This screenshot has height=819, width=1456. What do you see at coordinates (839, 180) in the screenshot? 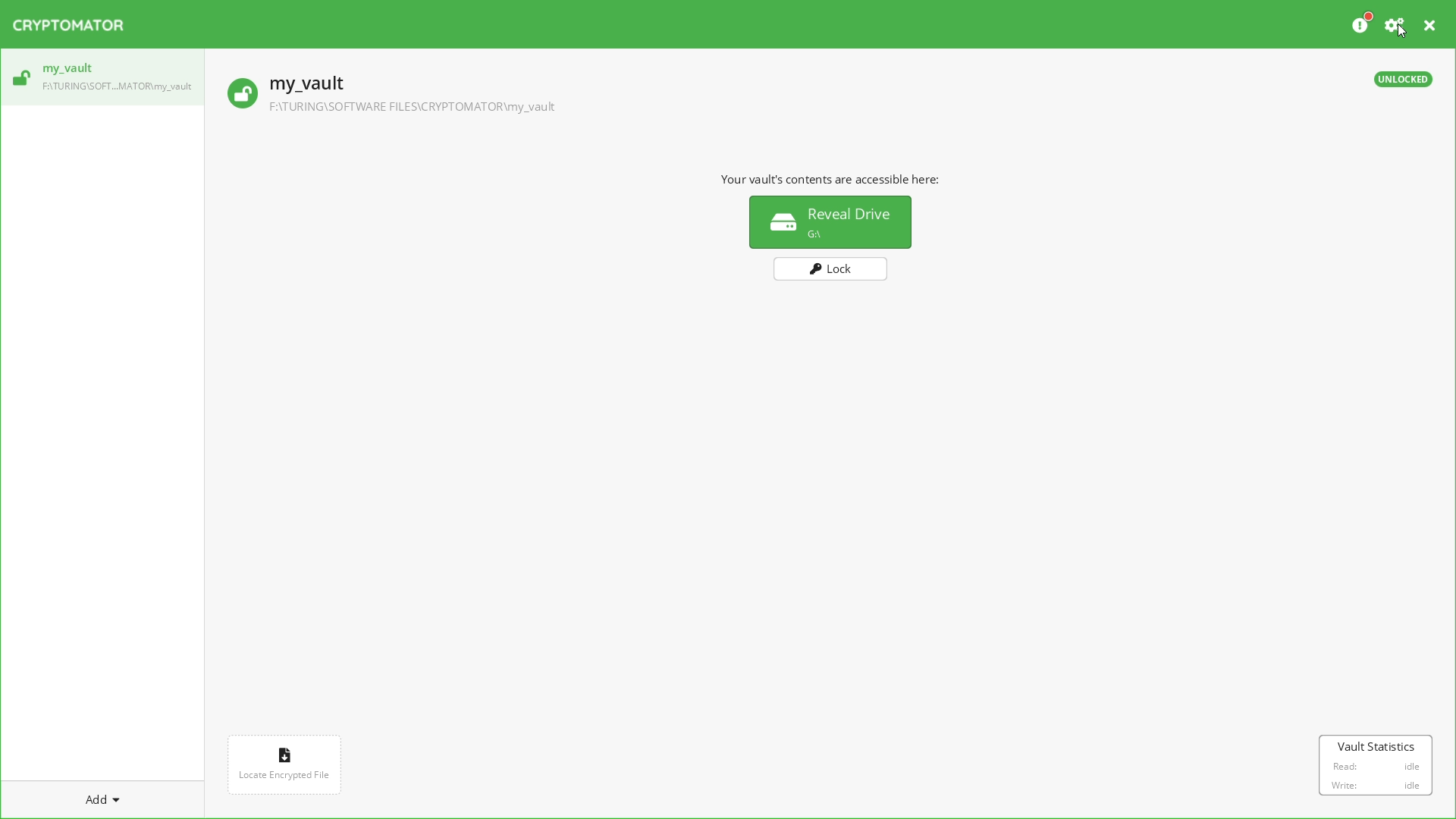
I see `Text` at bounding box center [839, 180].